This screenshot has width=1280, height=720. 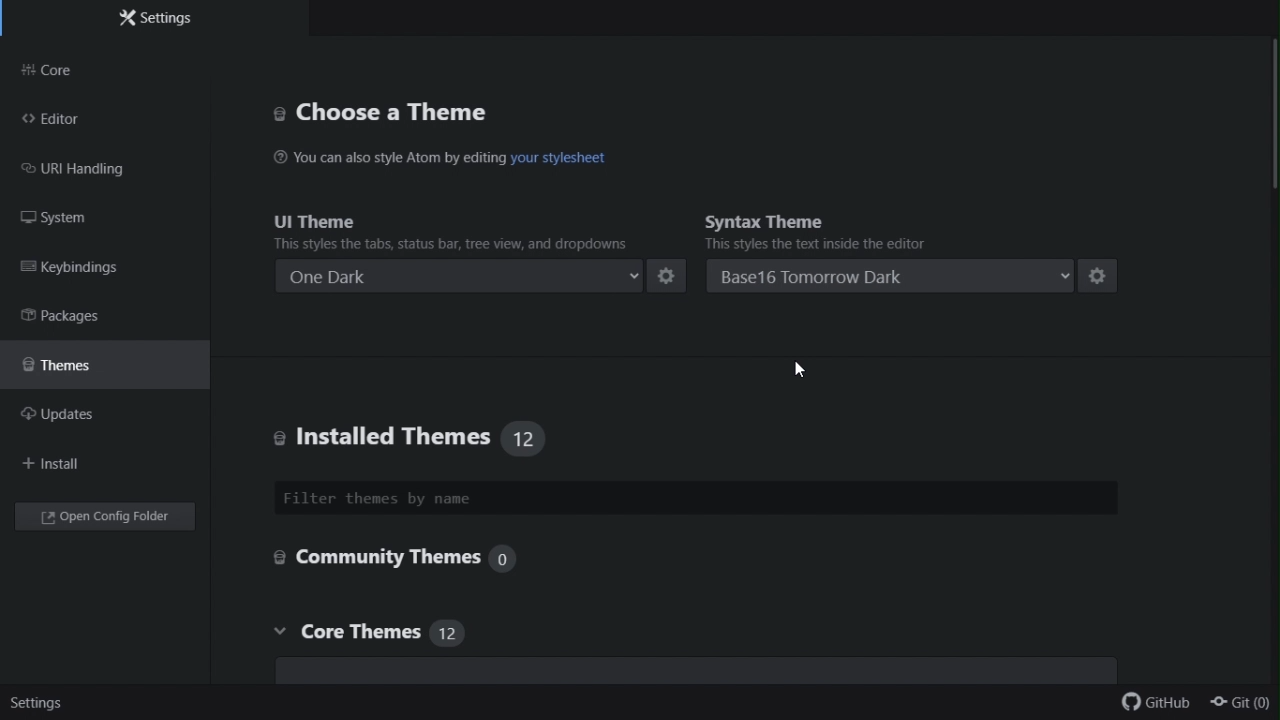 I want to click on Themes, so click(x=76, y=371).